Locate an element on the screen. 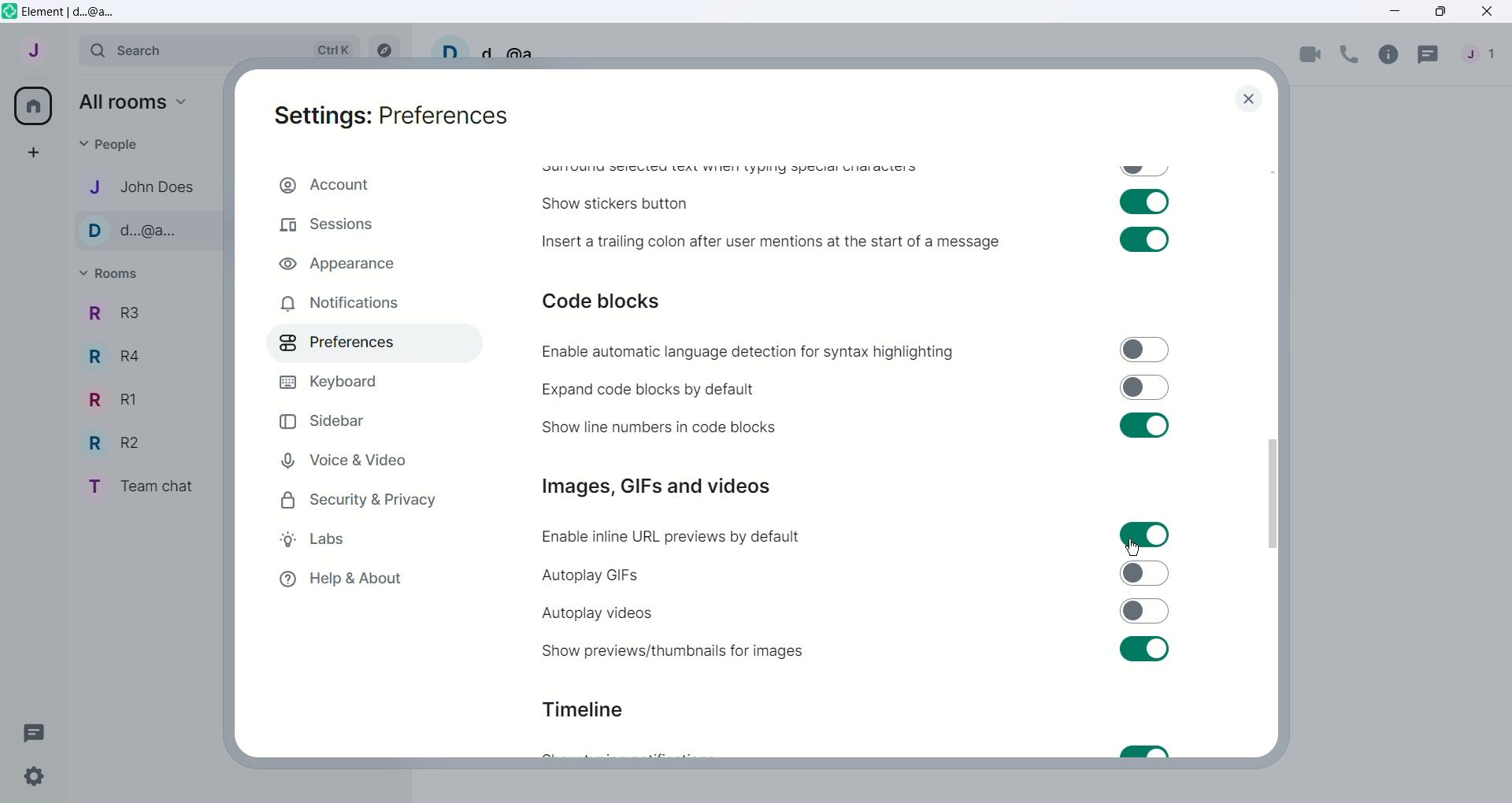  Voice call is located at coordinates (1350, 55).